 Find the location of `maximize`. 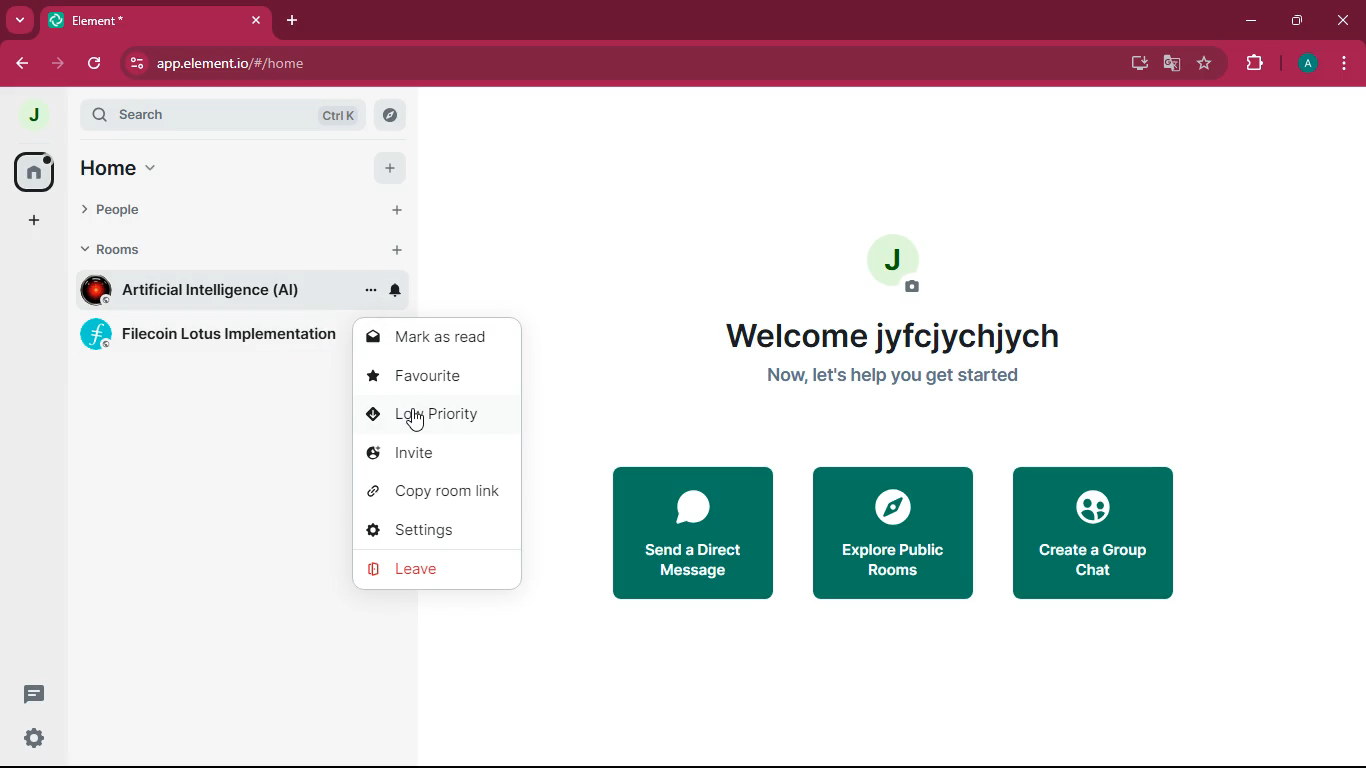

maximize is located at coordinates (1298, 24).